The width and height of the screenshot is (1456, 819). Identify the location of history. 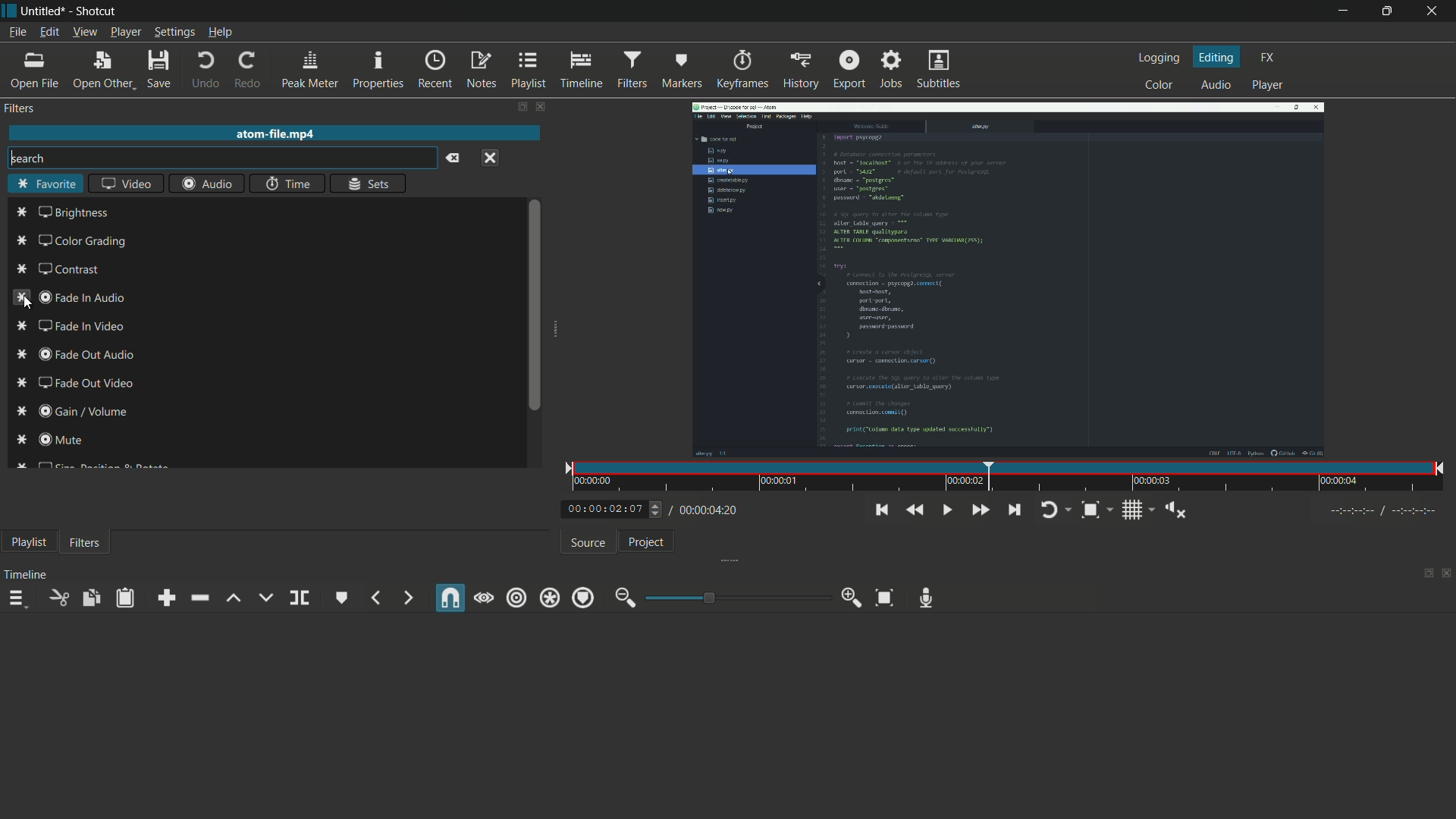
(802, 71).